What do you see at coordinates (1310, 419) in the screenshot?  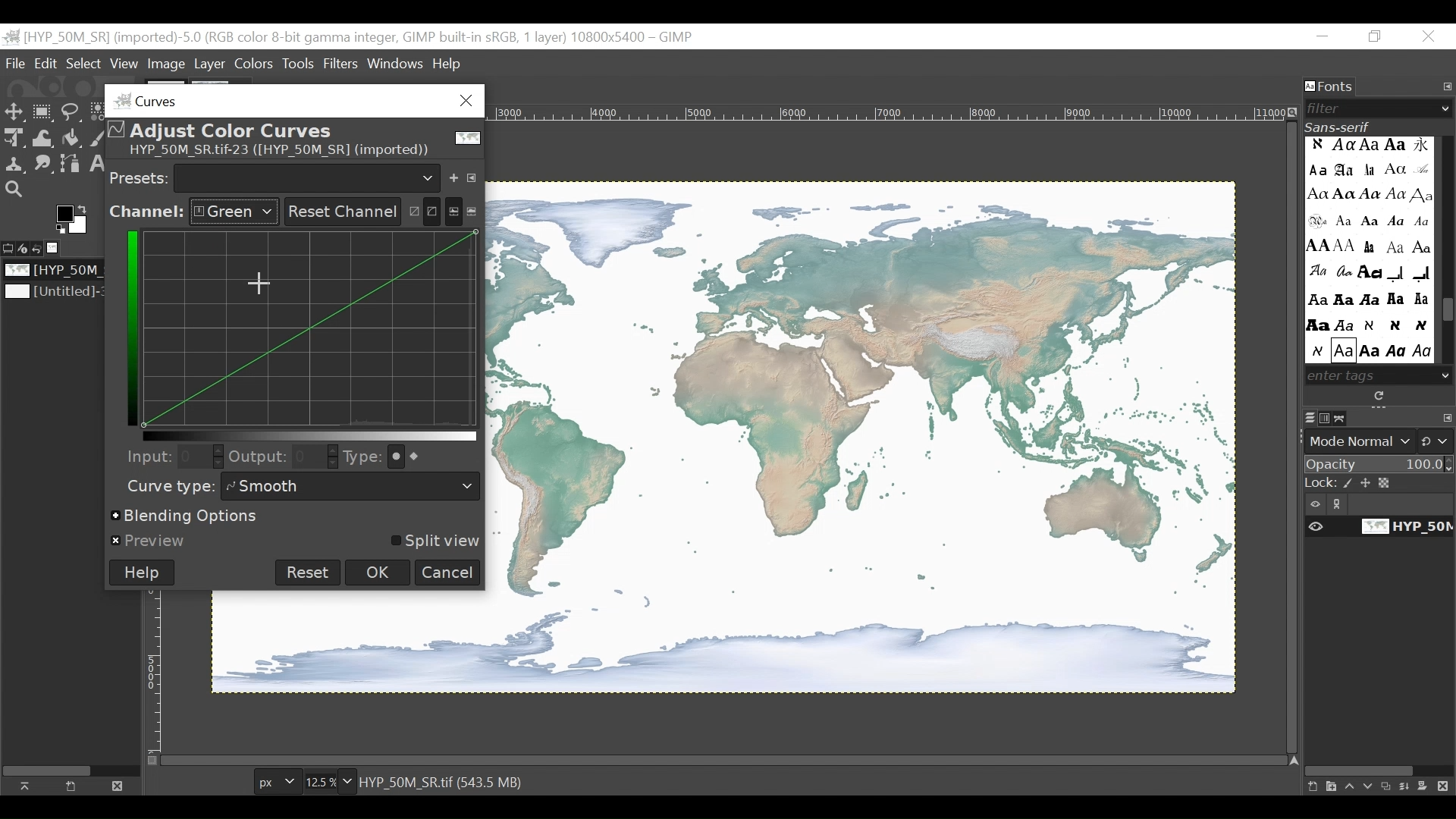 I see `Layers` at bounding box center [1310, 419].